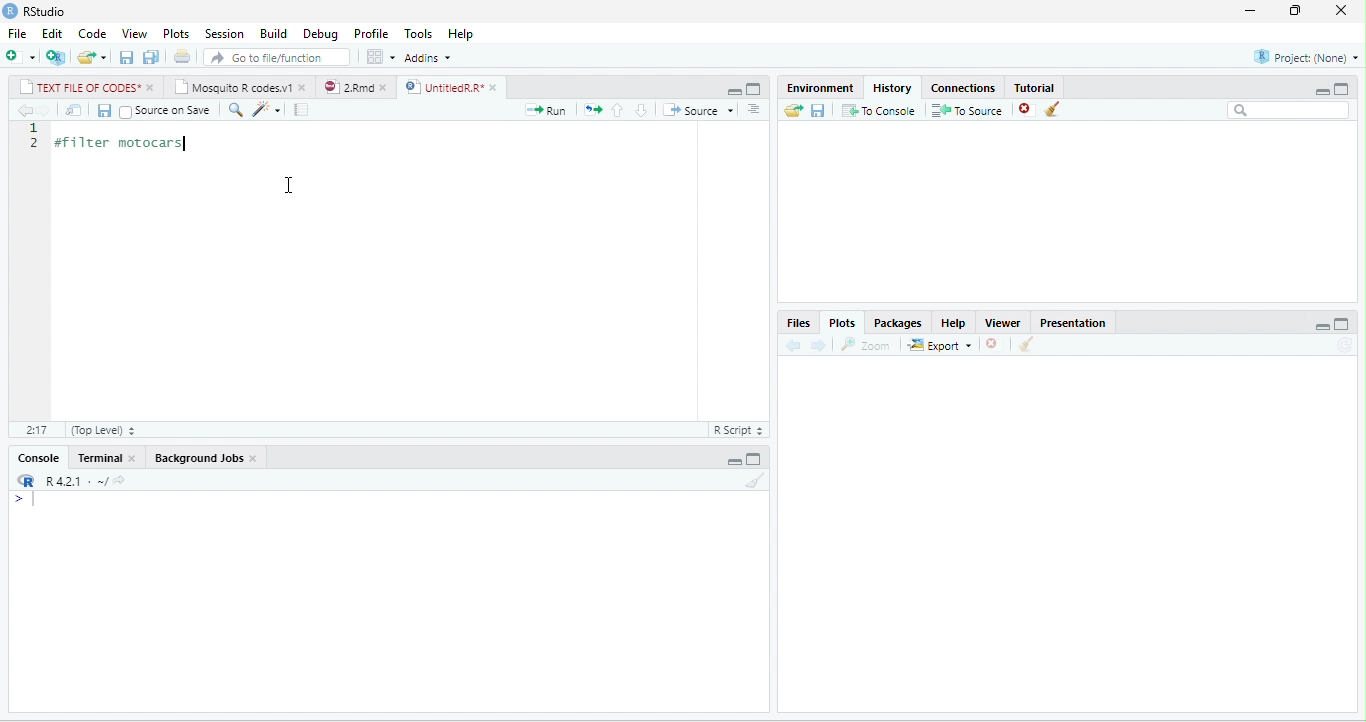 The image size is (1366, 722). What do you see at coordinates (197, 458) in the screenshot?
I see `Background Jobs` at bounding box center [197, 458].